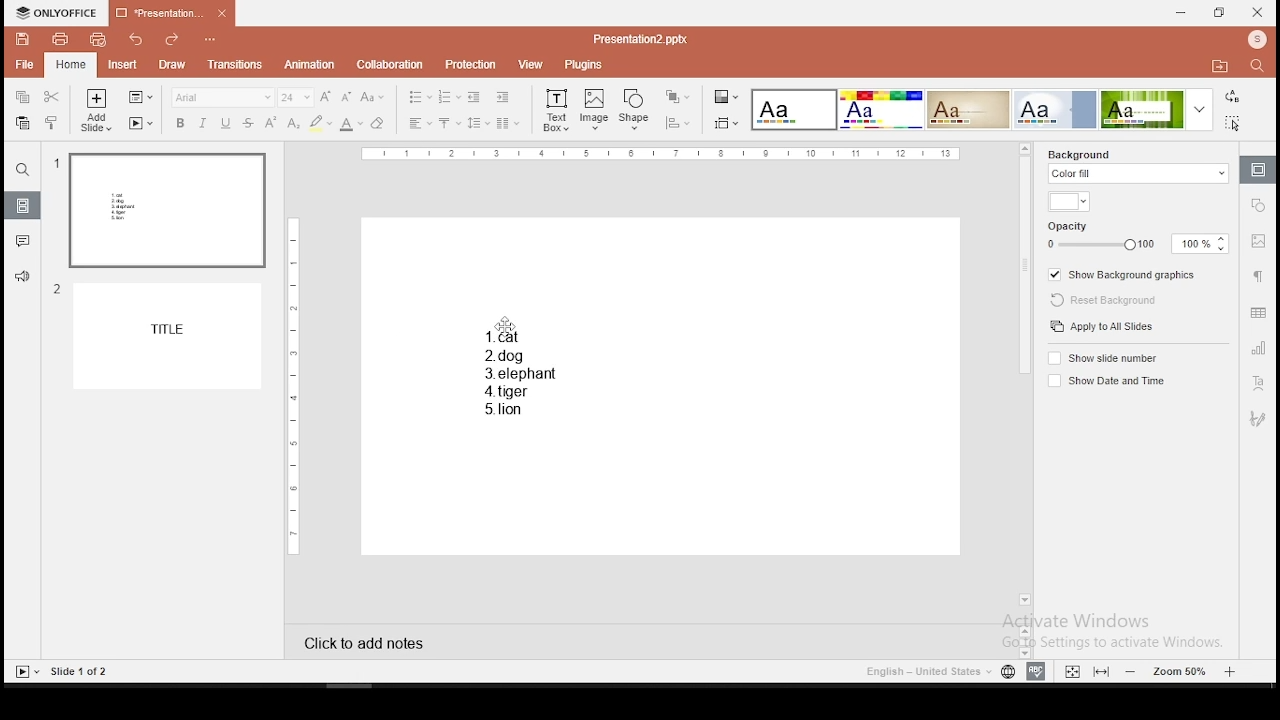 This screenshot has width=1280, height=720. I want to click on numbers, so click(55, 233).